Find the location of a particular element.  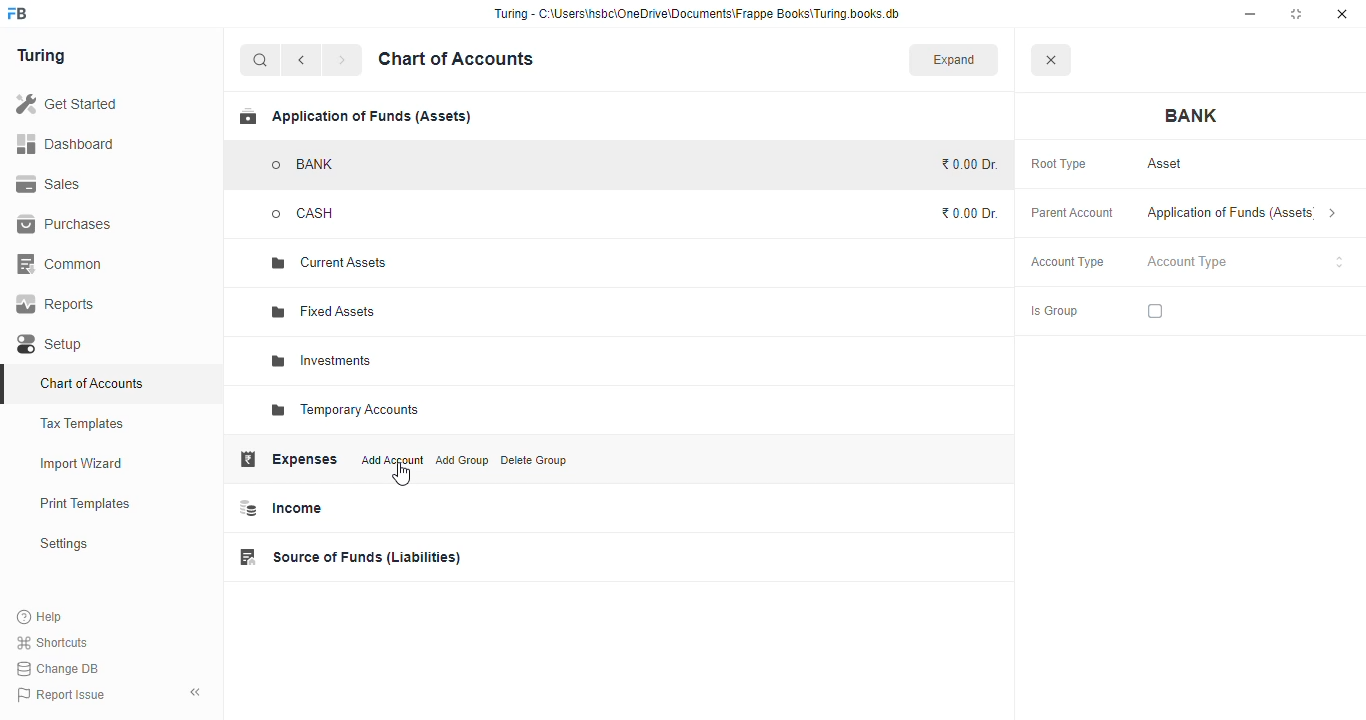

close is located at coordinates (1342, 14).